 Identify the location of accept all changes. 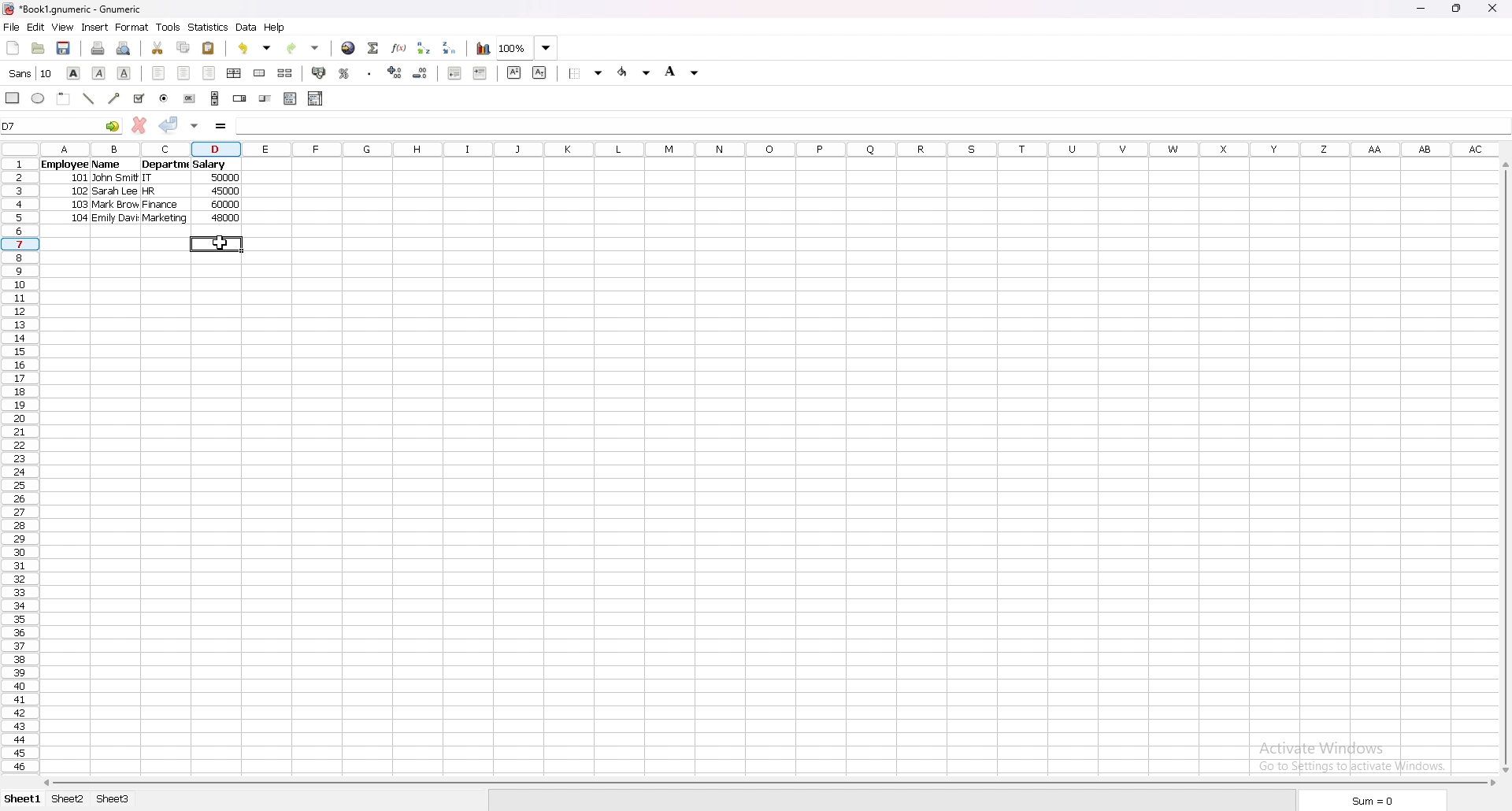
(195, 127).